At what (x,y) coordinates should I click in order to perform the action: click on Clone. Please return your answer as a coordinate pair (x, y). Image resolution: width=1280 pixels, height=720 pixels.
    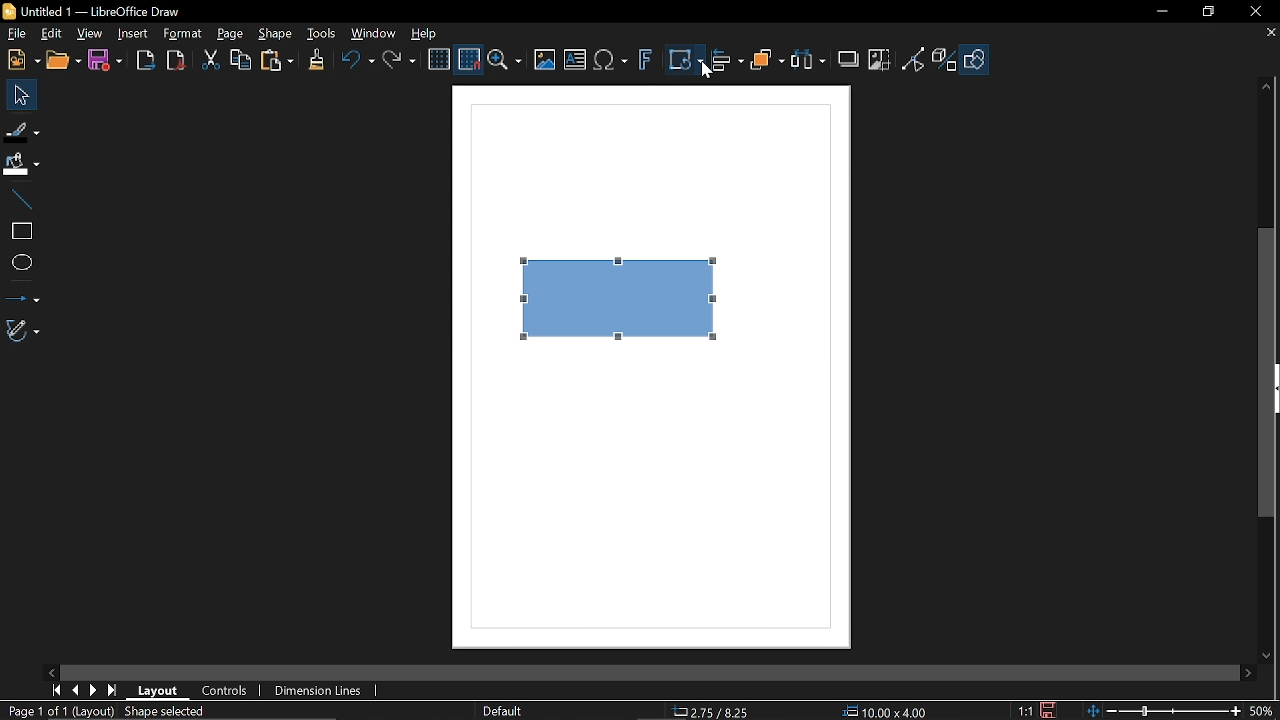
    Looking at the image, I should click on (316, 61).